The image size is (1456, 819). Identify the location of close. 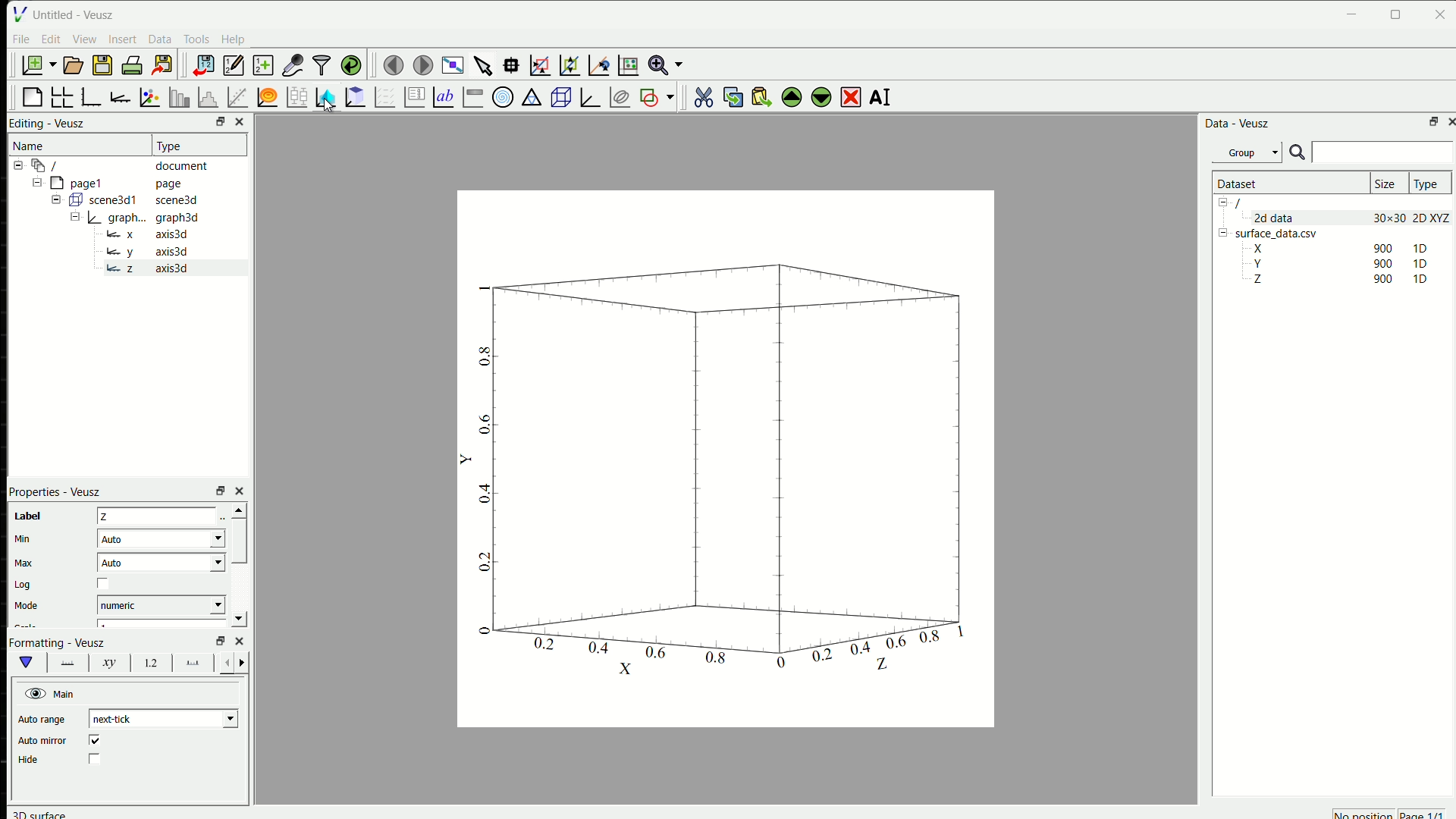
(240, 641).